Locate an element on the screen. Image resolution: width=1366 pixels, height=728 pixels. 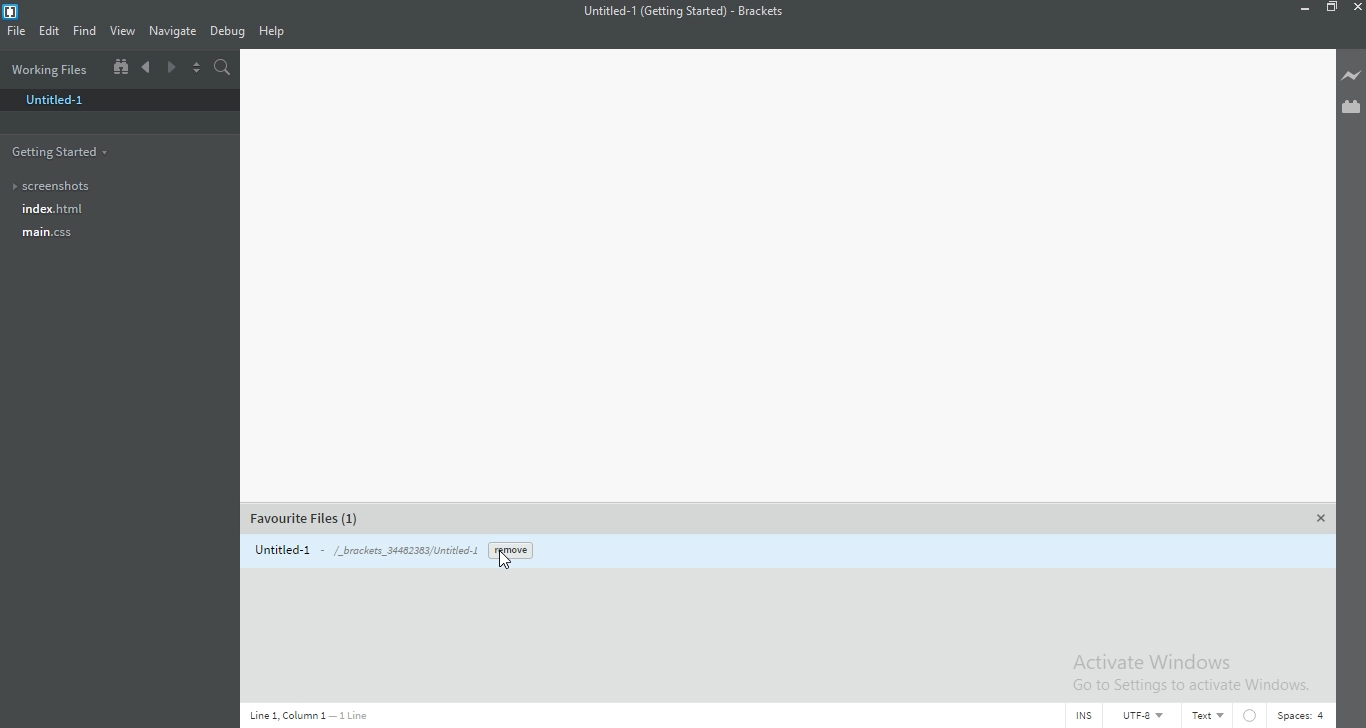
Circle is located at coordinates (1260, 714).